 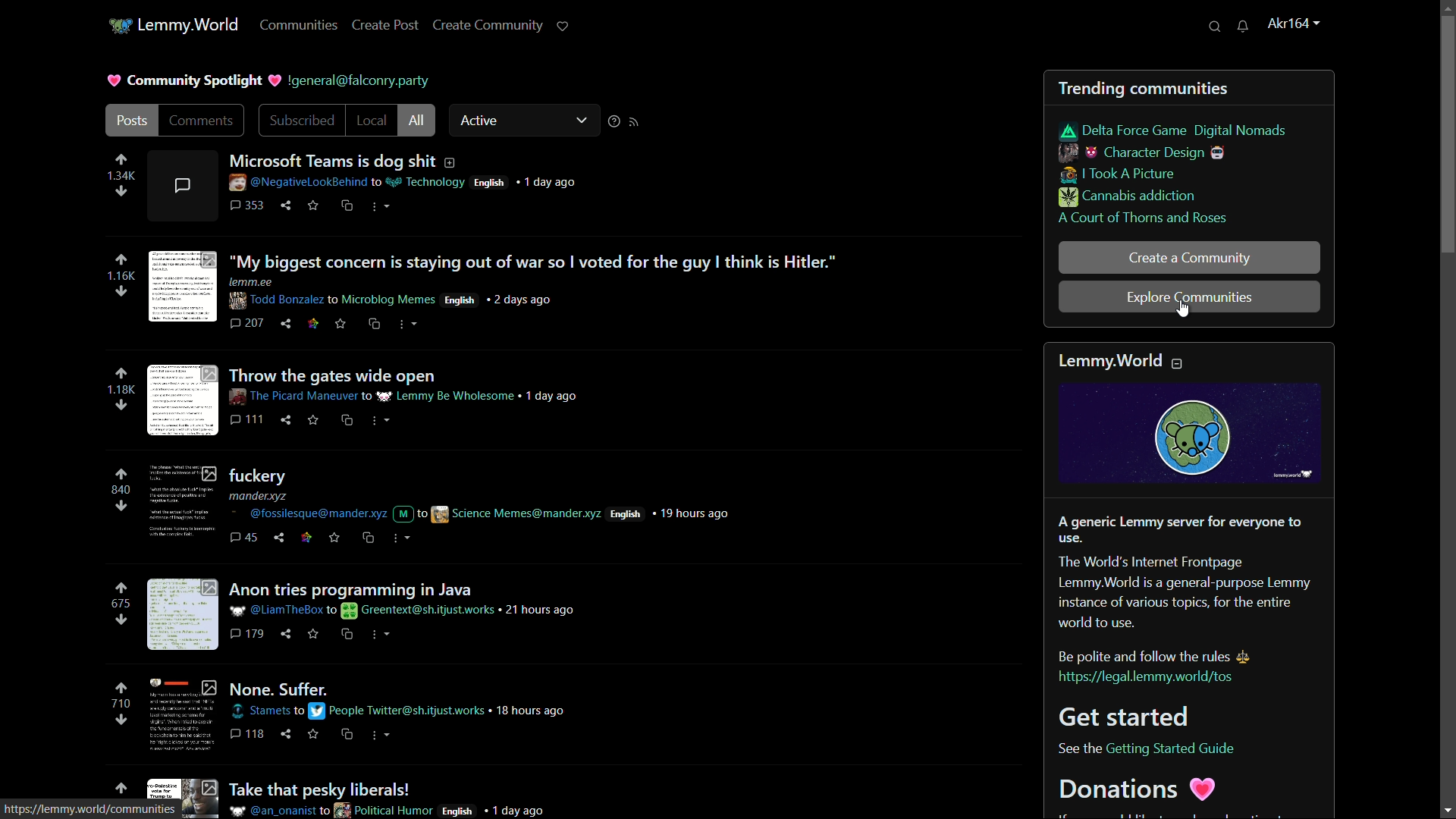 What do you see at coordinates (1172, 132) in the screenshot?
I see `delta force game digital nomads` at bounding box center [1172, 132].